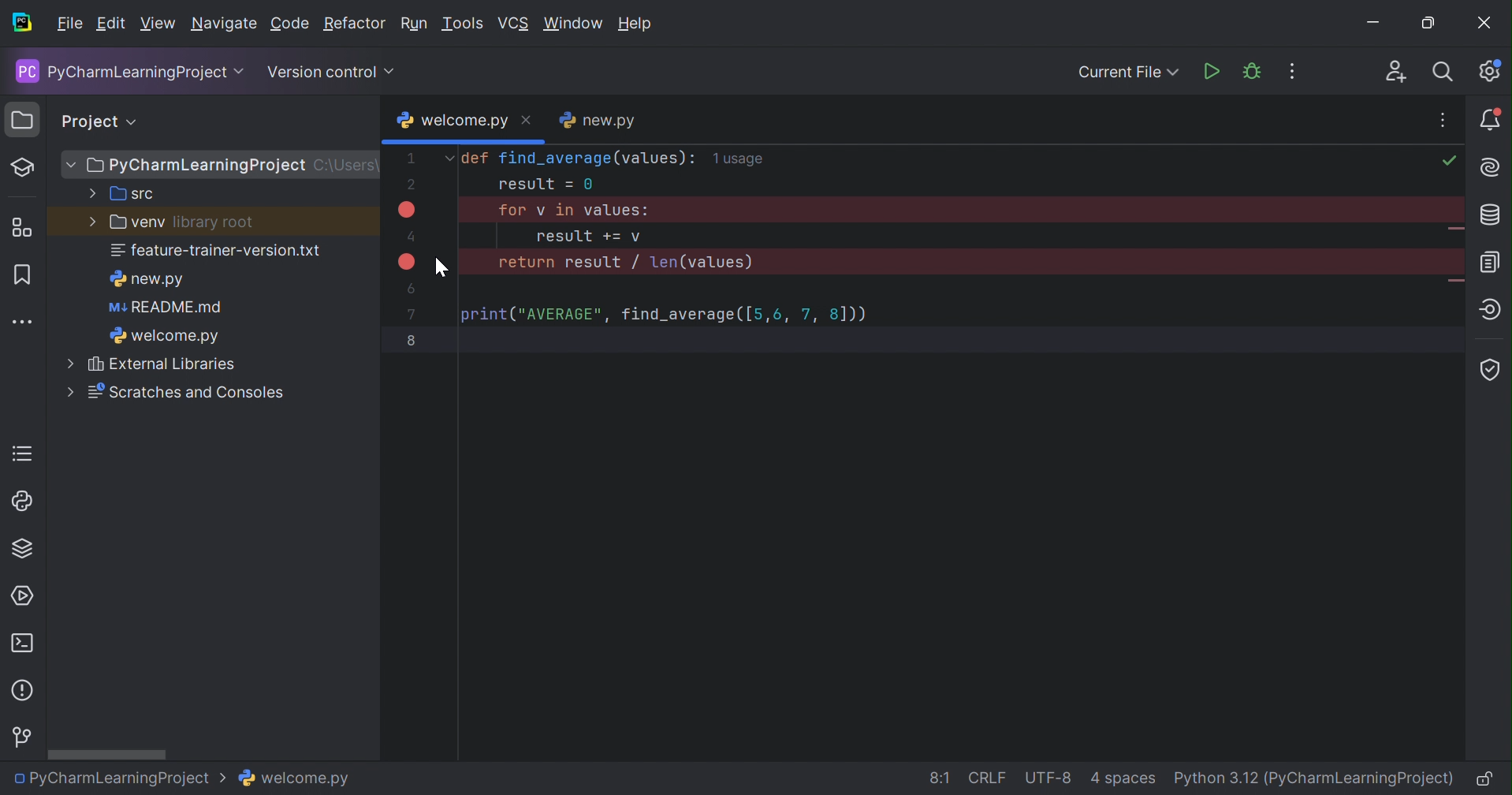 This screenshot has width=1512, height=795. Describe the element at coordinates (1486, 24) in the screenshot. I see `Close` at that location.